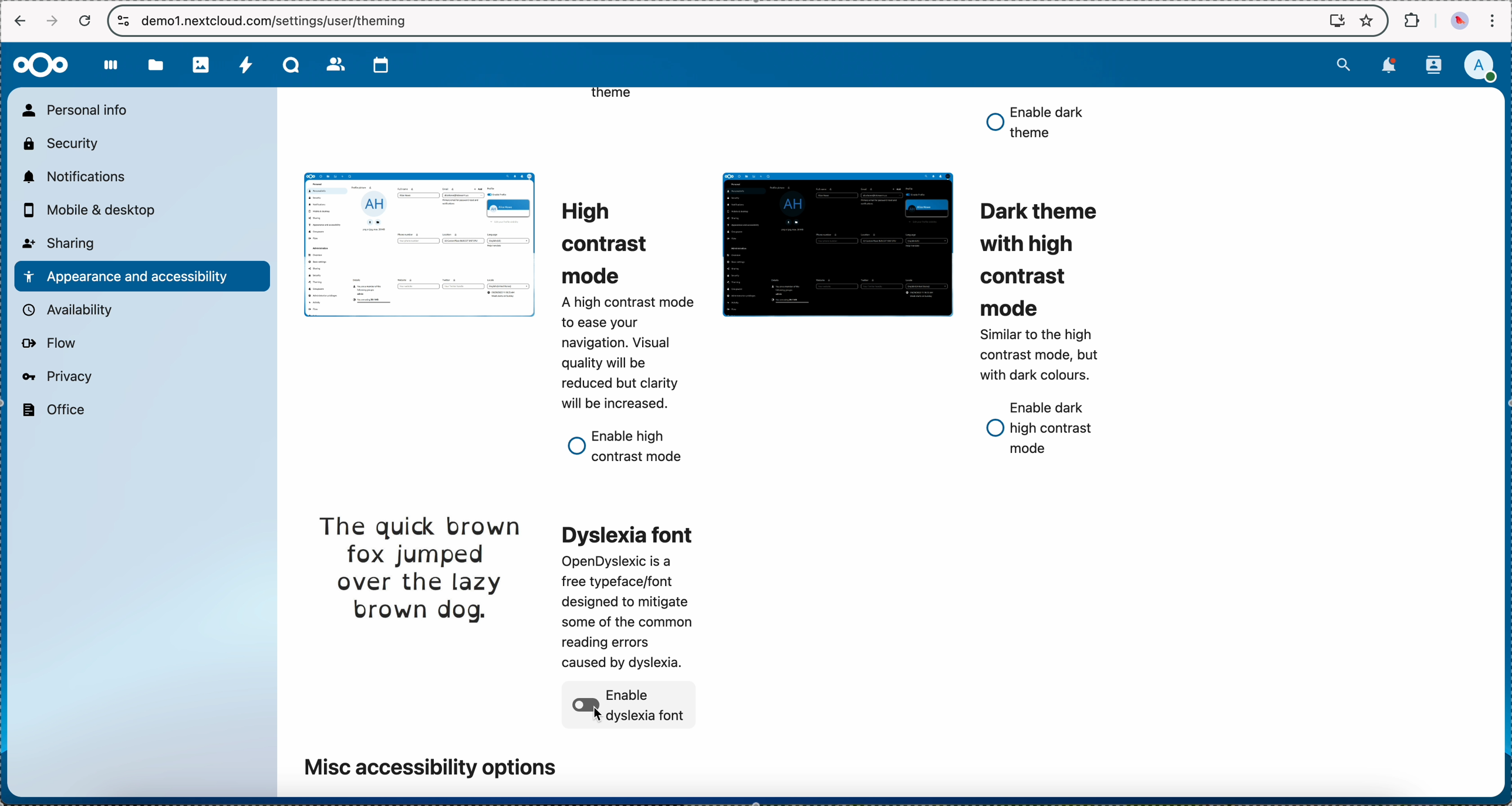 This screenshot has width=1512, height=806. Describe the element at coordinates (54, 411) in the screenshot. I see `office` at that location.